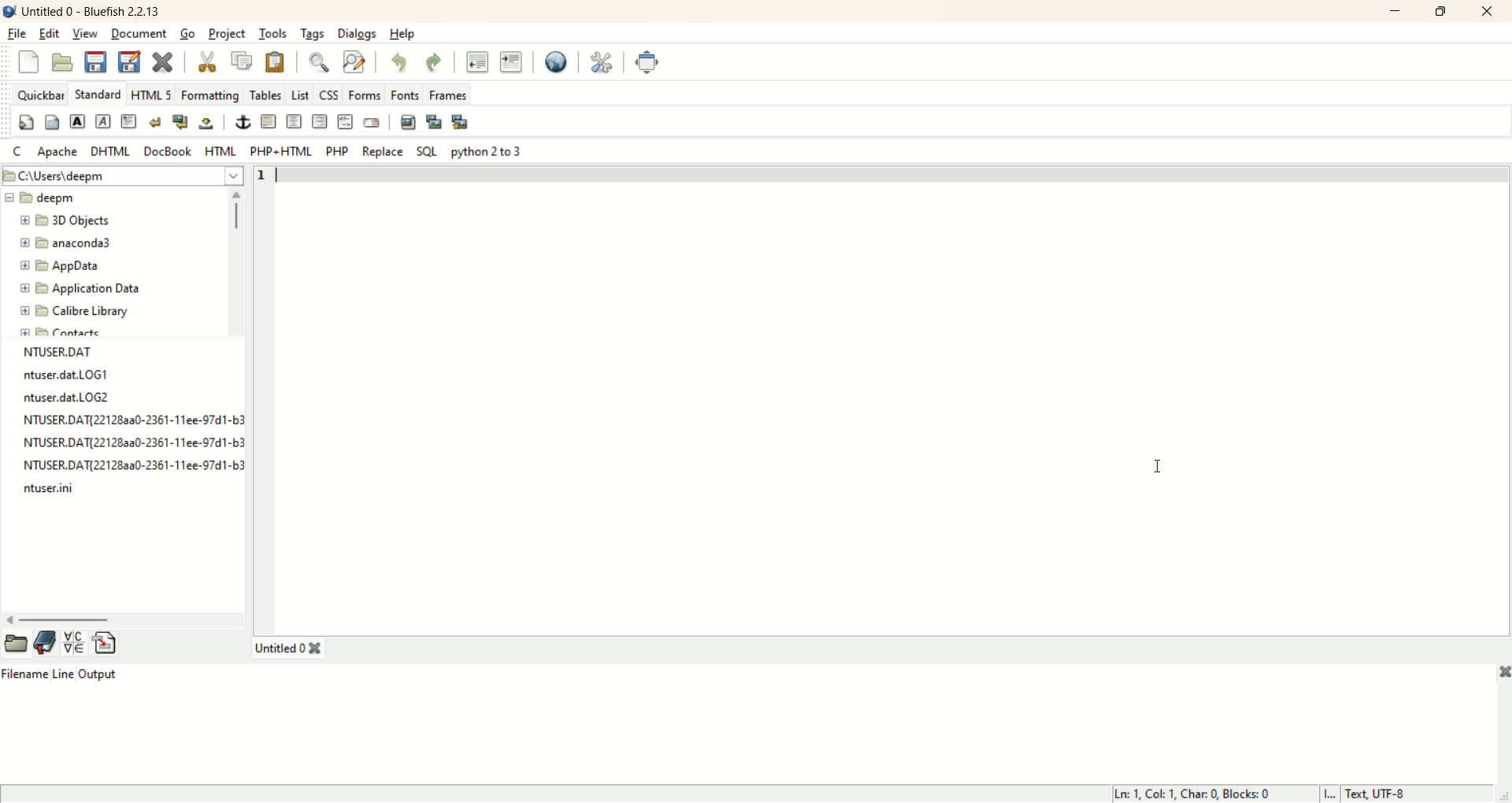 The image size is (1512, 803). What do you see at coordinates (407, 120) in the screenshot?
I see `insert image` at bounding box center [407, 120].